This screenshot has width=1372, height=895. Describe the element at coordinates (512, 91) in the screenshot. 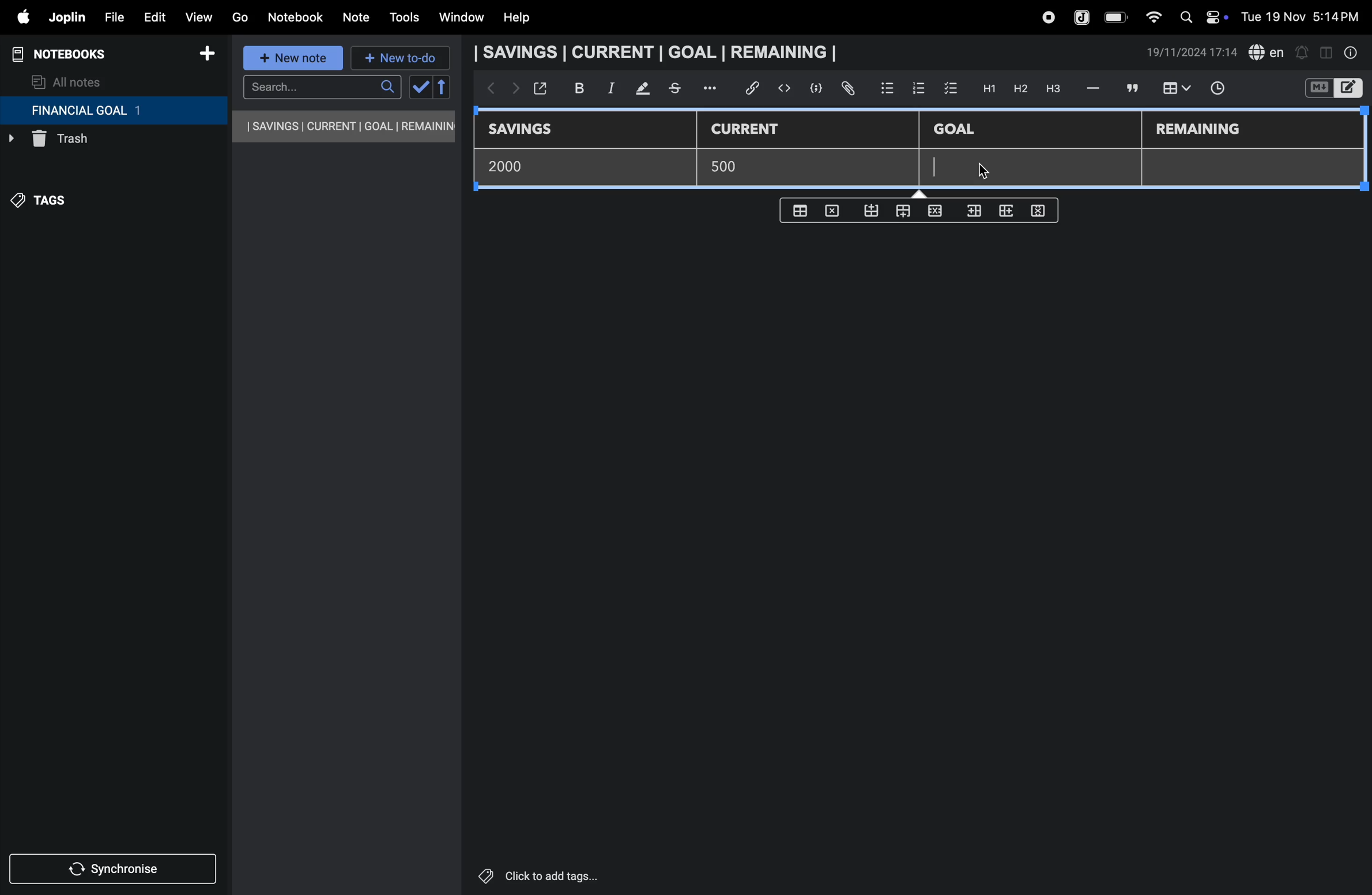

I see `forward` at that location.